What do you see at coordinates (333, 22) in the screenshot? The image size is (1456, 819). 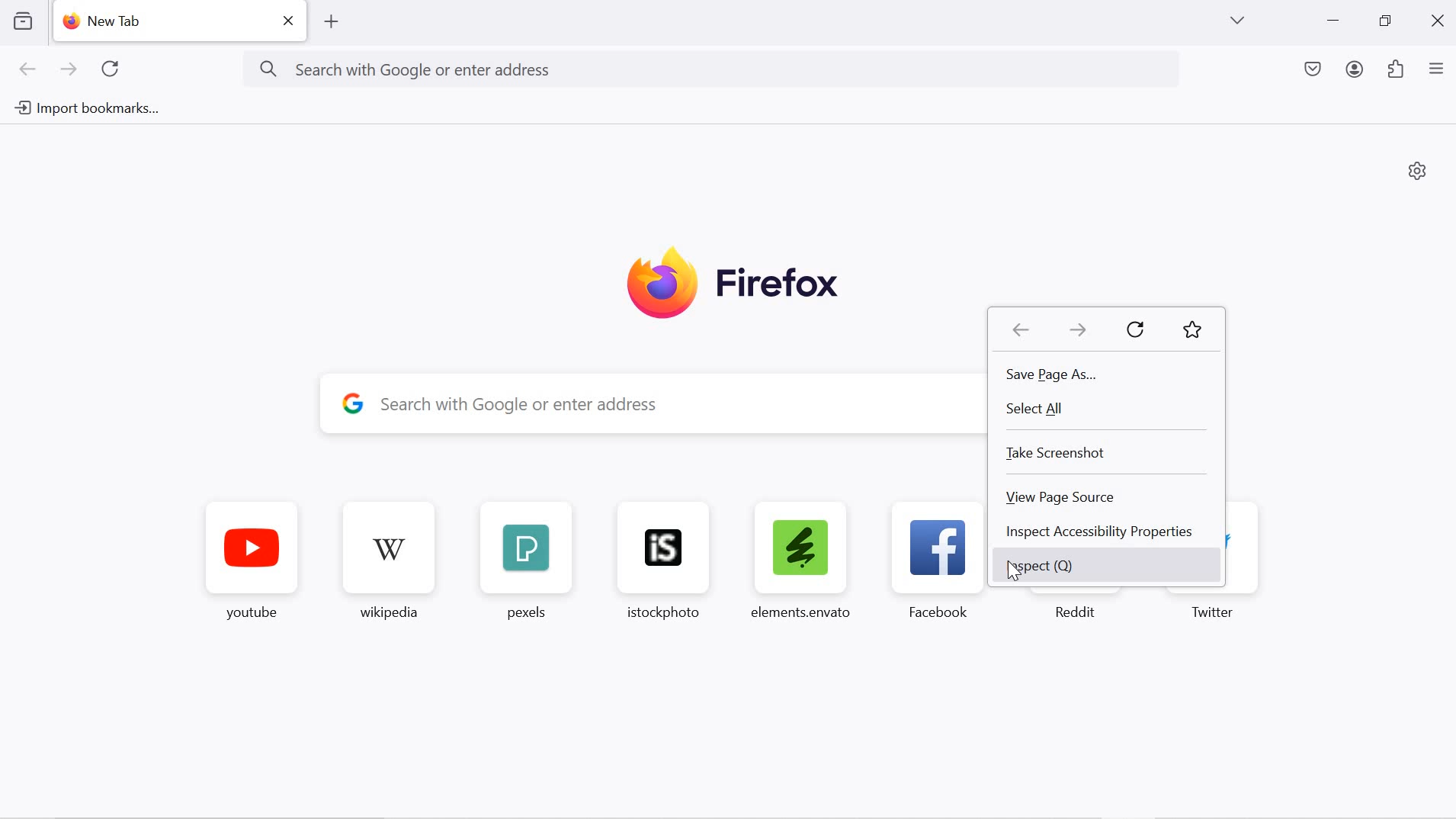 I see `ADD TAB` at bounding box center [333, 22].